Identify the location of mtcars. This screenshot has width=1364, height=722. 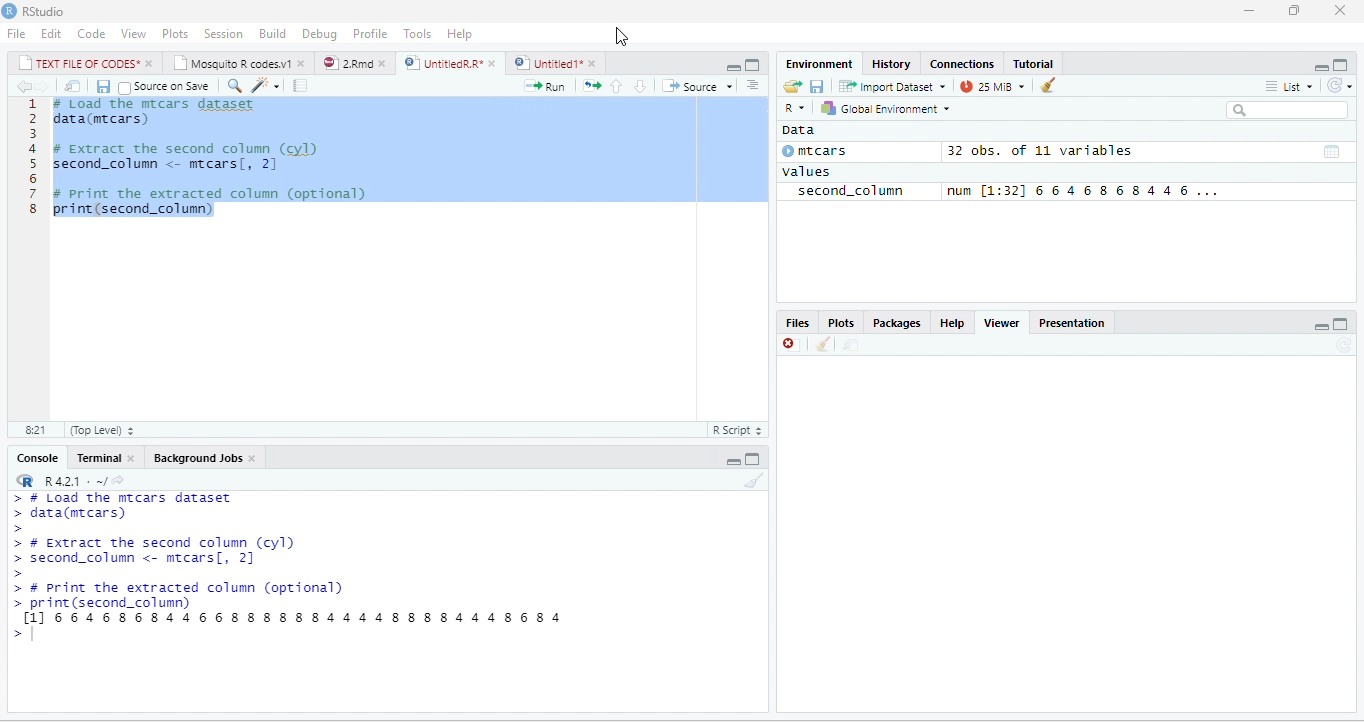
(815, 151).